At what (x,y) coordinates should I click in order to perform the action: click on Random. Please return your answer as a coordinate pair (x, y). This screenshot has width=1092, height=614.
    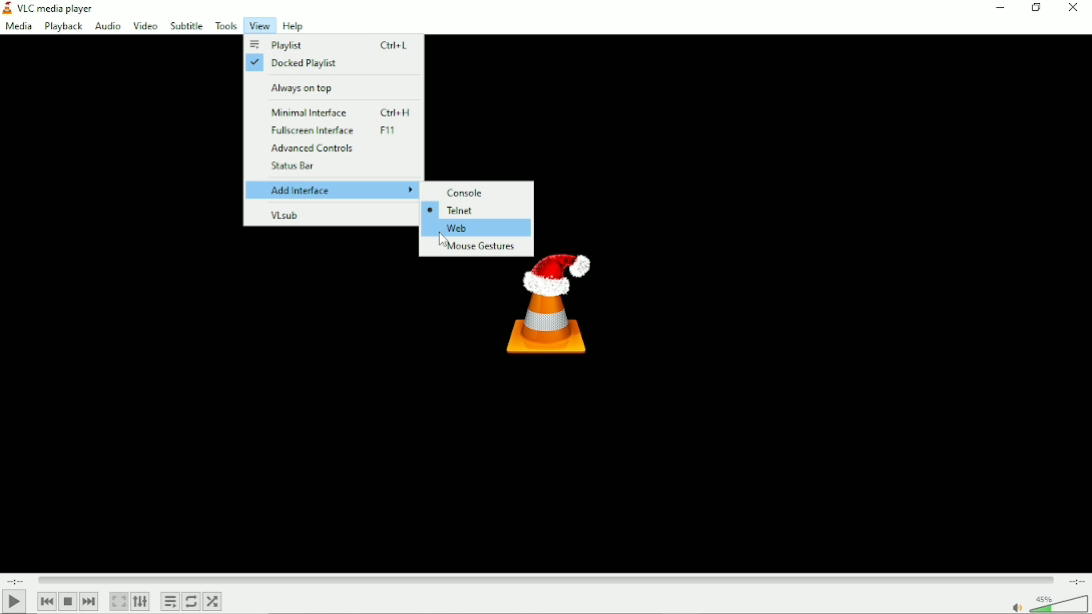
    Looking at the image, I should click on (212, 602).